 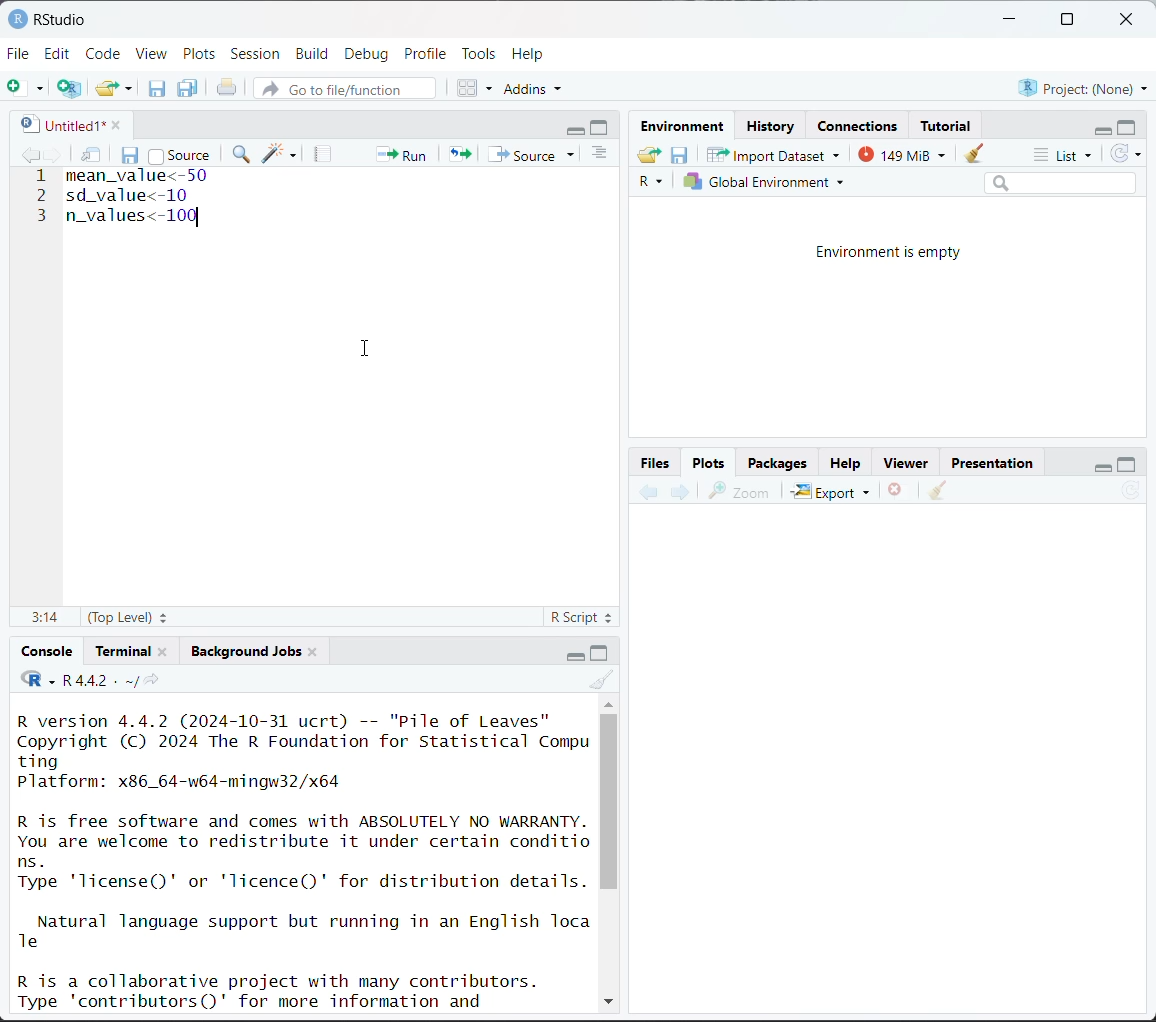 I want to click on mean_value<-50, so click(x=140, y=176).